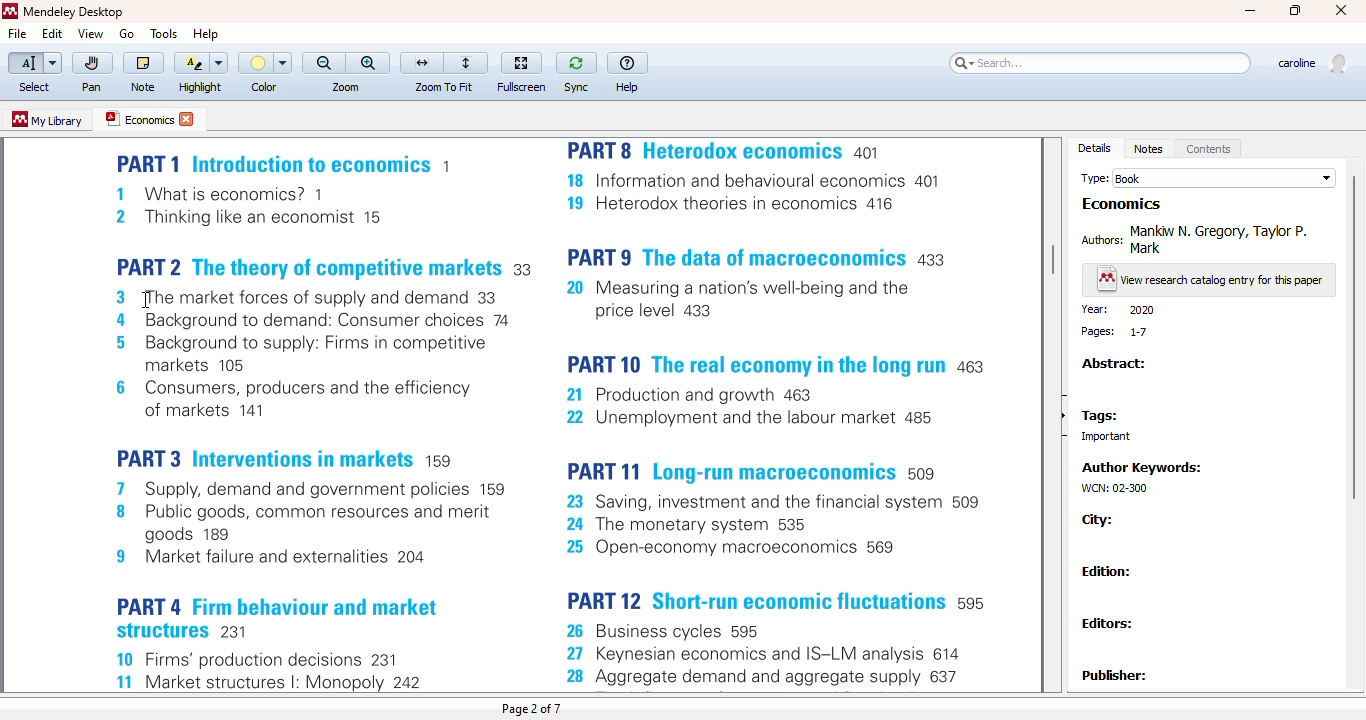 The width and height of the screenshot is (1366, 720). What do you see at coordinates (126, 34) in the screenshot?
I see `go` at bounding box center [126, 34].